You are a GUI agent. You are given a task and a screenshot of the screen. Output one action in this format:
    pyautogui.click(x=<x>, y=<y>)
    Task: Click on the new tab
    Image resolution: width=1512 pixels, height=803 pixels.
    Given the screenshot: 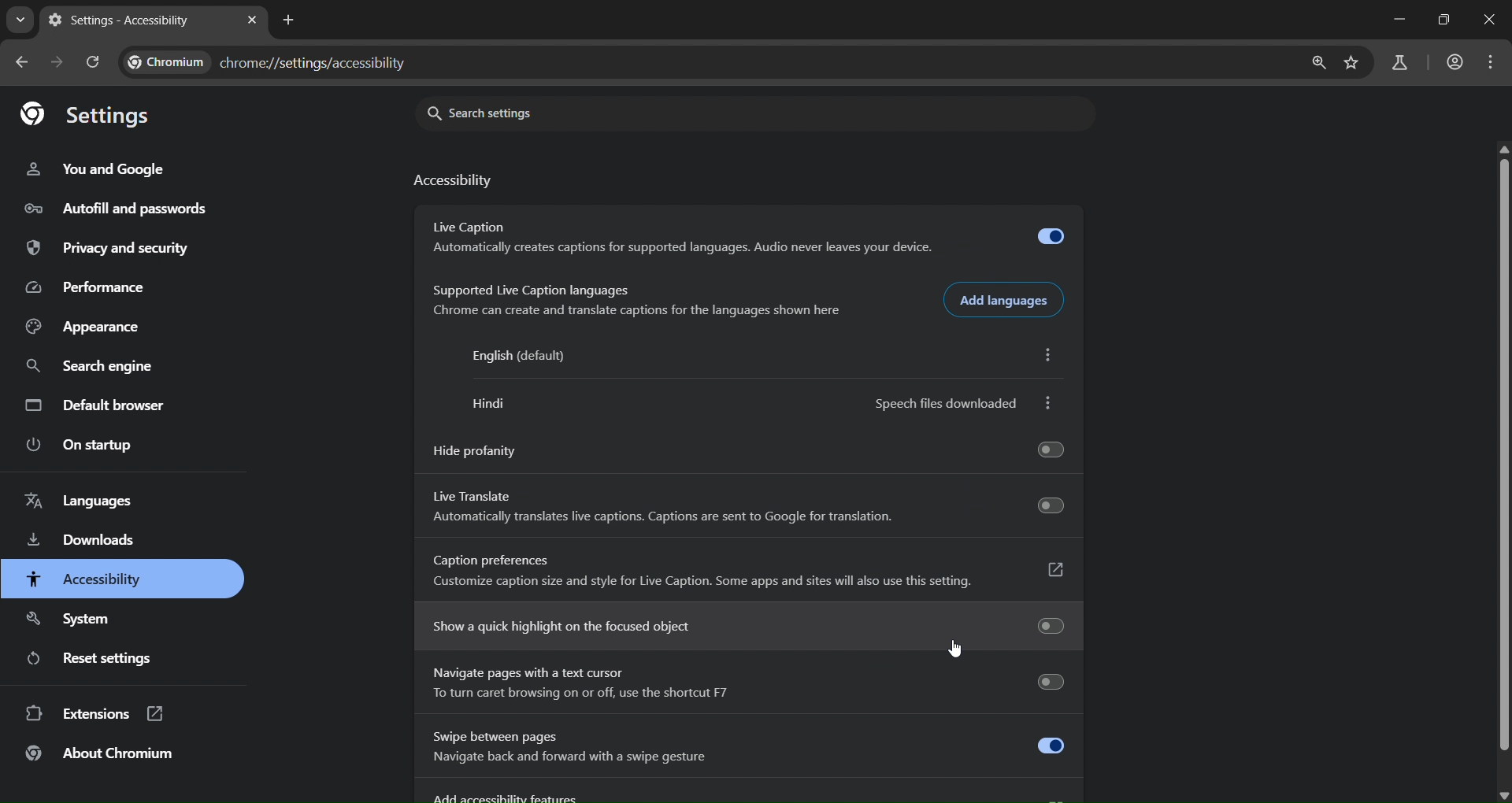 What is the action you would take?
    pyautogui.click(x=291, y=21)
    